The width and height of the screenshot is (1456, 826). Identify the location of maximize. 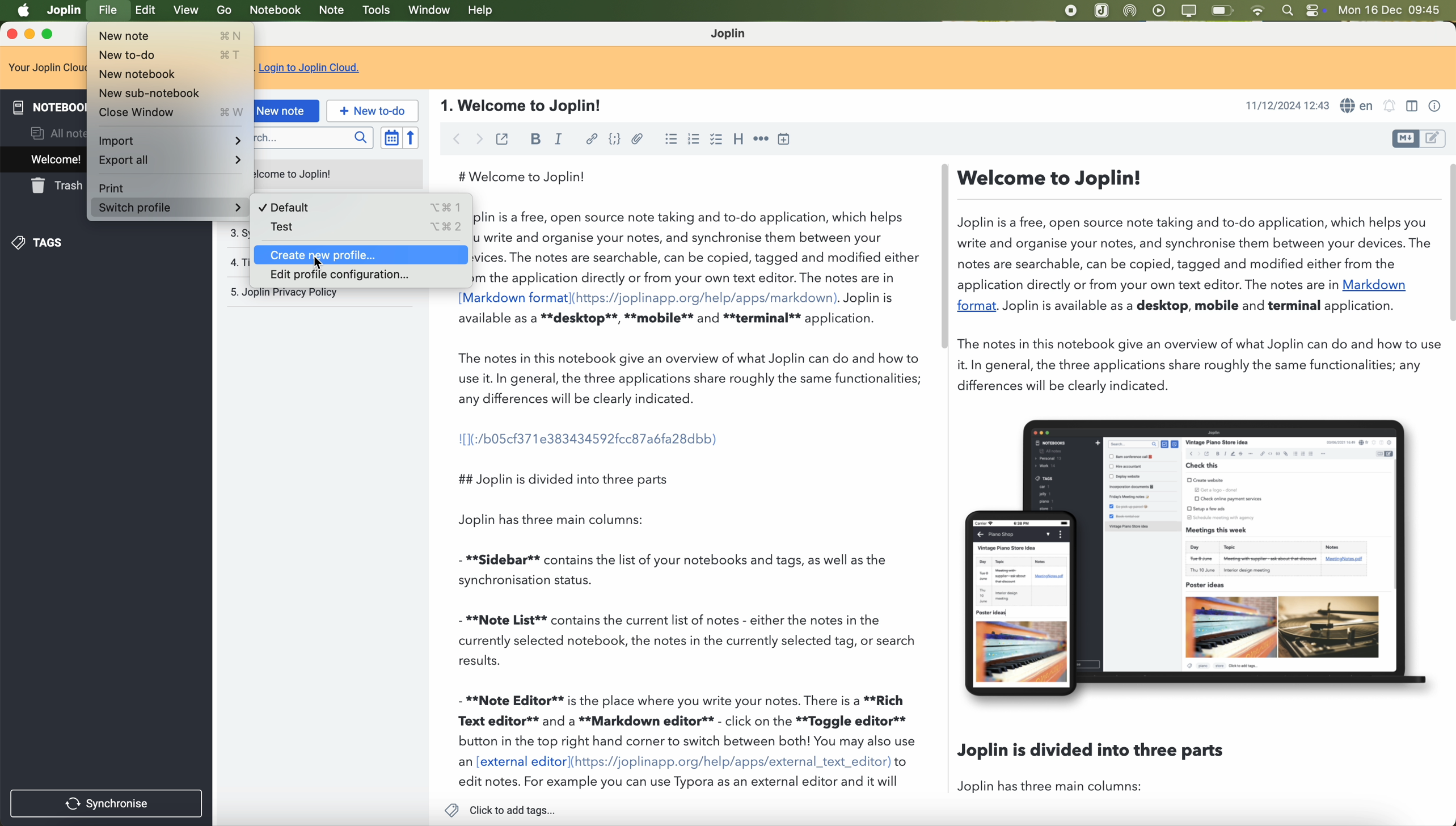
(50, 35).